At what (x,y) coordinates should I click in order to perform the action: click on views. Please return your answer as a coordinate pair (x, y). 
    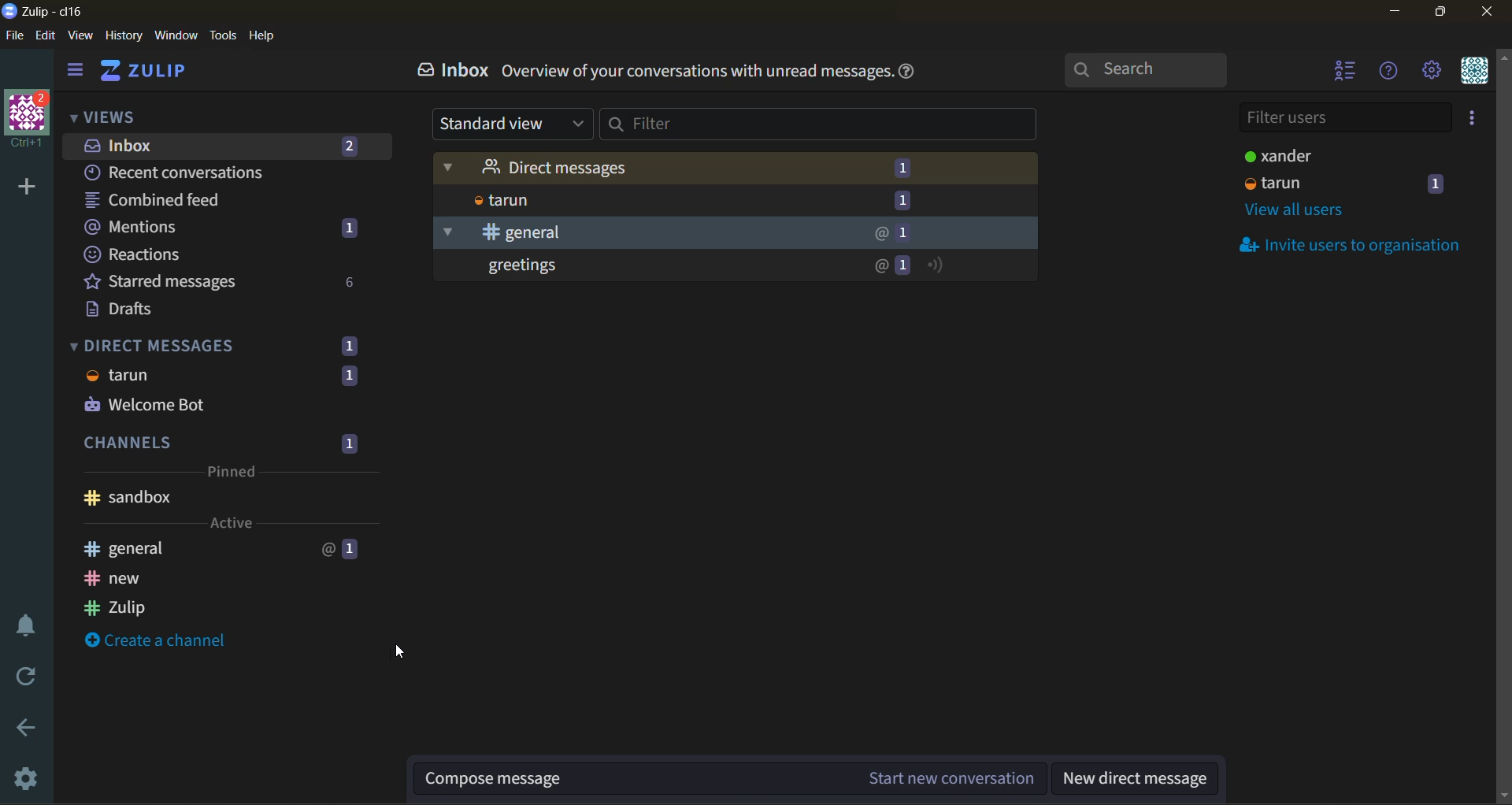
    Looking at the image, I should click on (105, 117).